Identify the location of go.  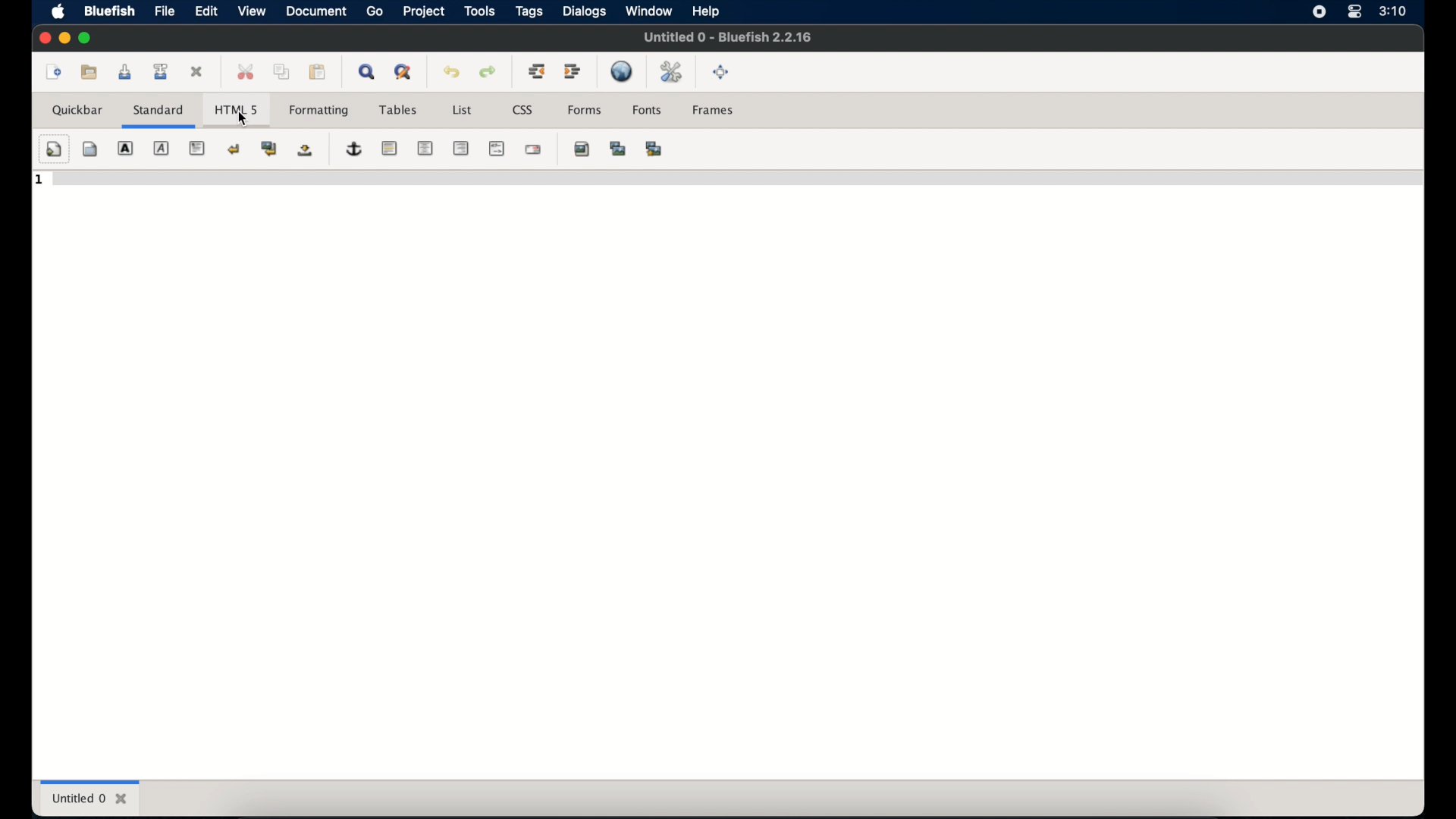
(375, 12).